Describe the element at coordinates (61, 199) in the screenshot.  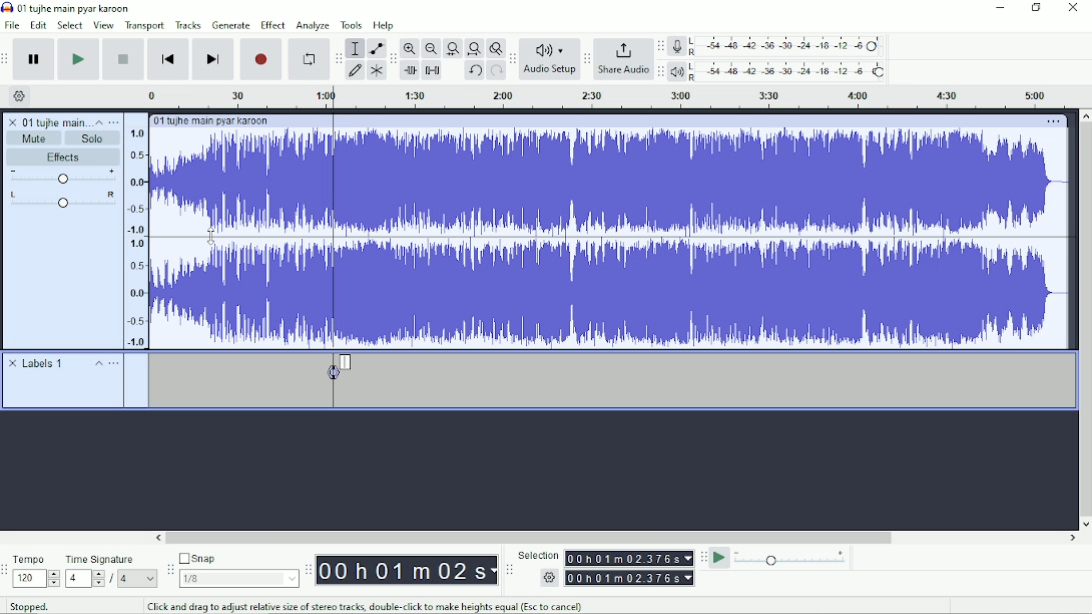
I see `Pan` at that location.